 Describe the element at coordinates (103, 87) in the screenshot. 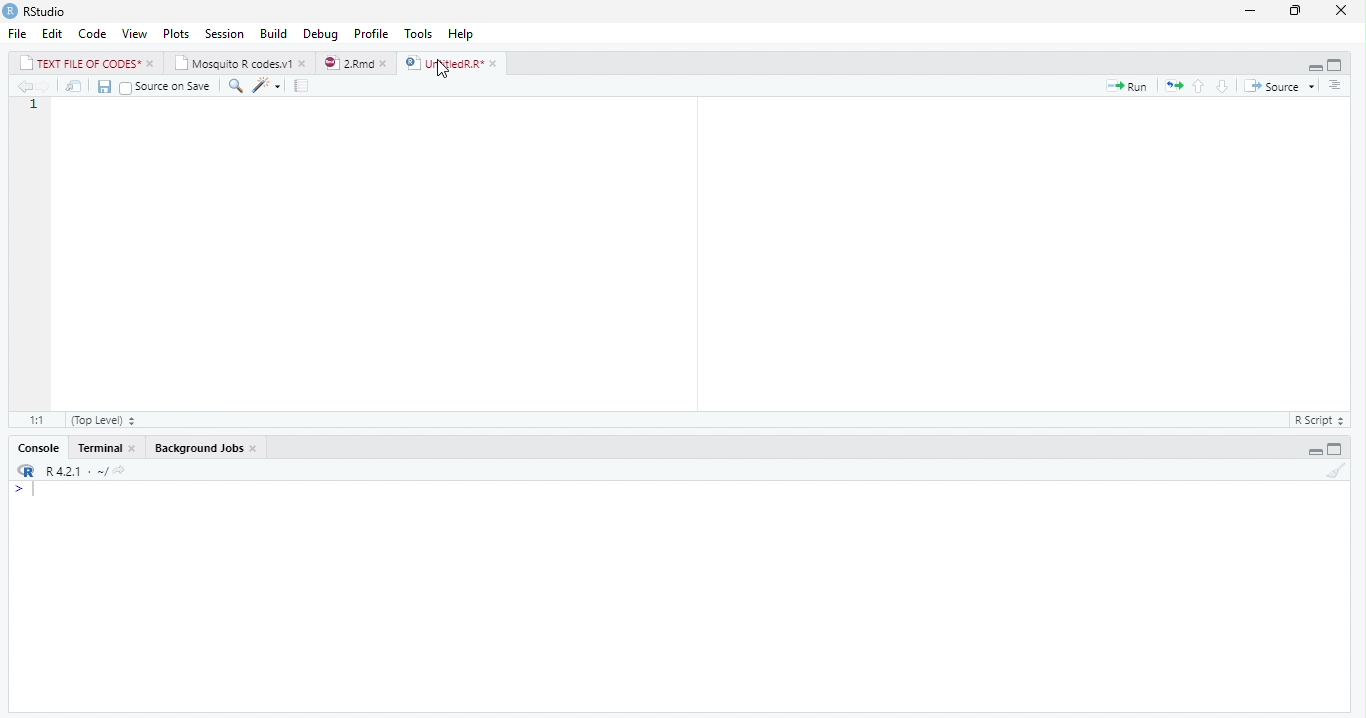

I see `Save` at that location.